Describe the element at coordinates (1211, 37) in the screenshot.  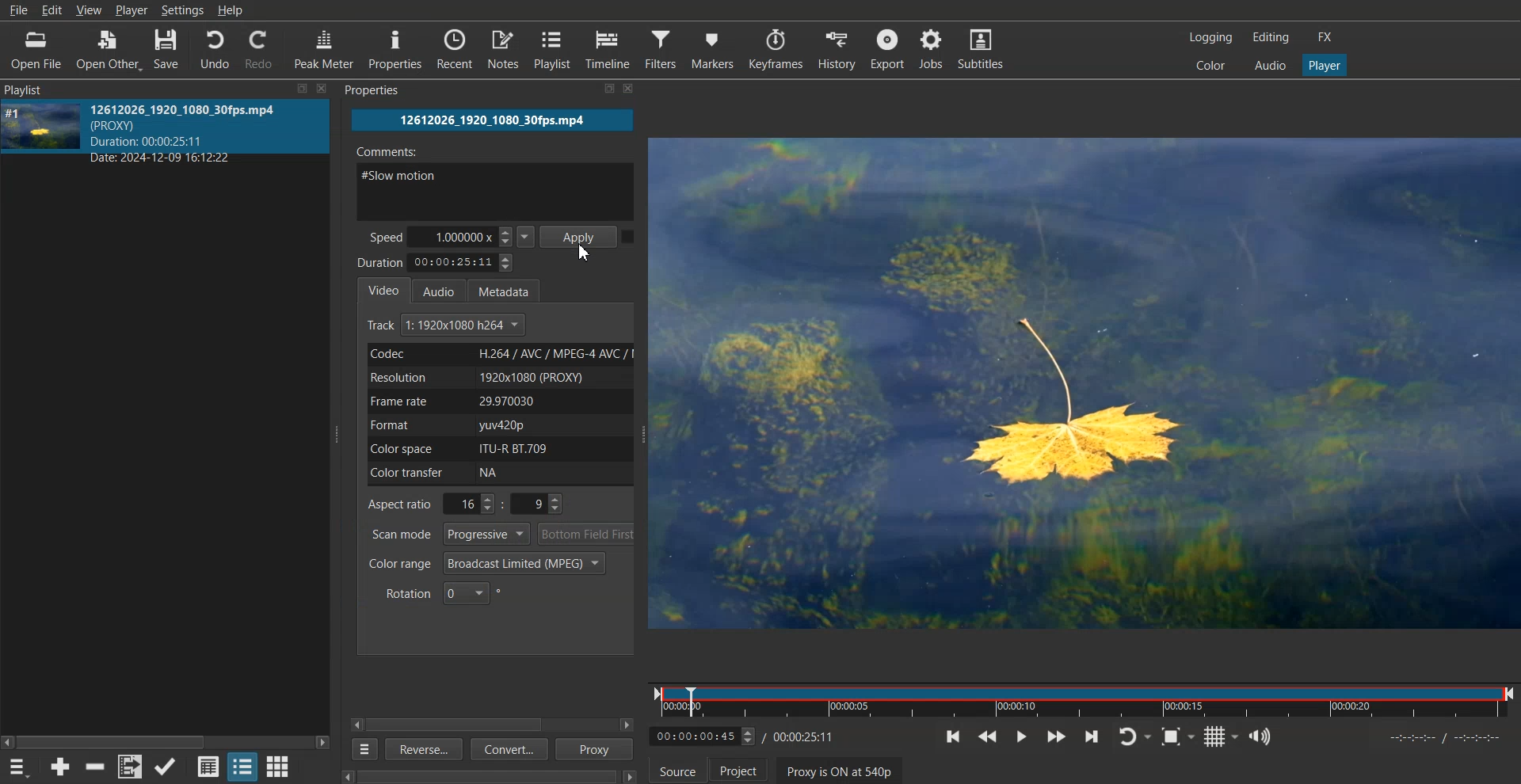
I see `Logging` at that location.